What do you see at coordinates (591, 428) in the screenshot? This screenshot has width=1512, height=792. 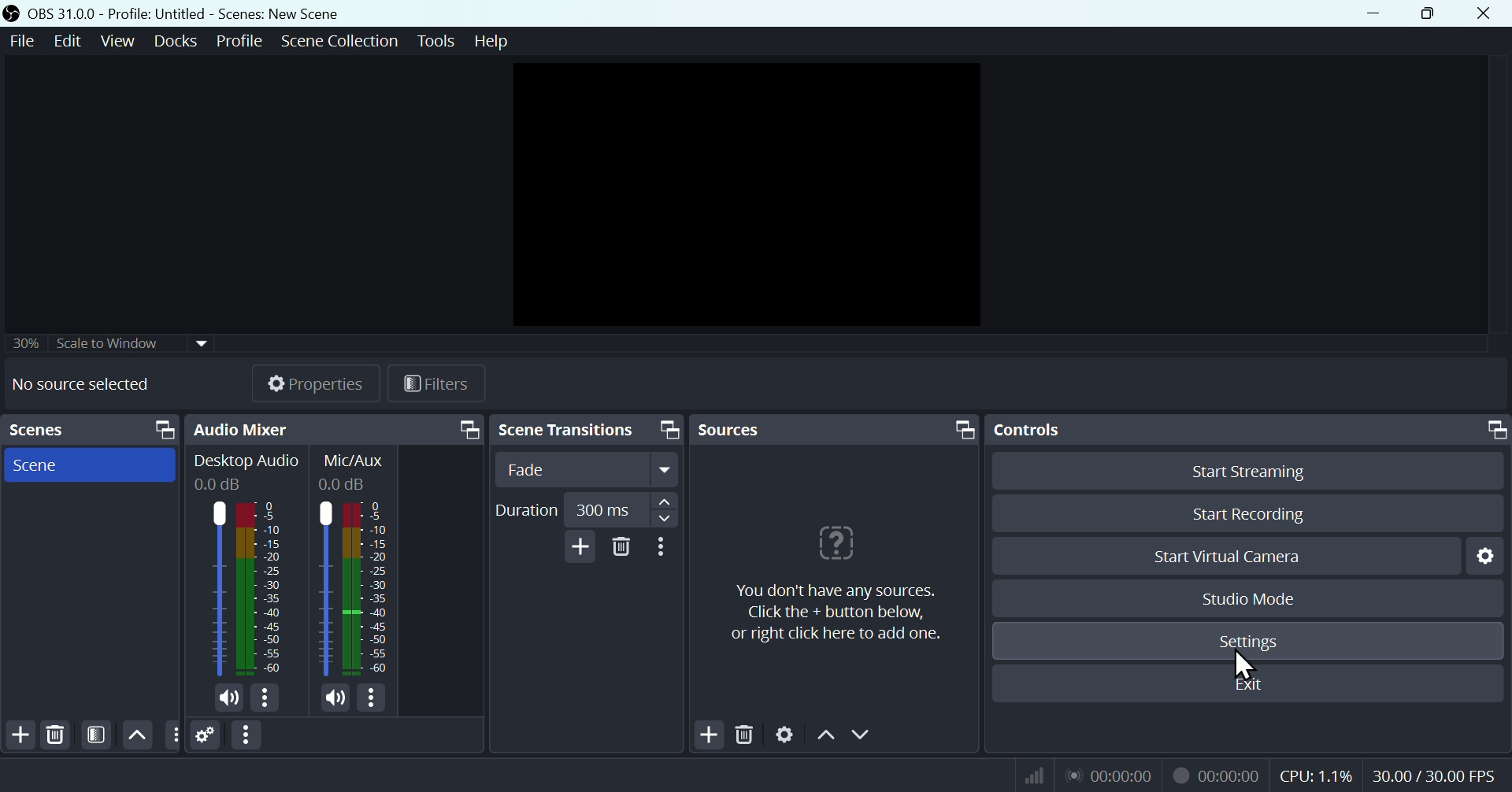 I see `Scene transition` at bounding box center [591, 428].